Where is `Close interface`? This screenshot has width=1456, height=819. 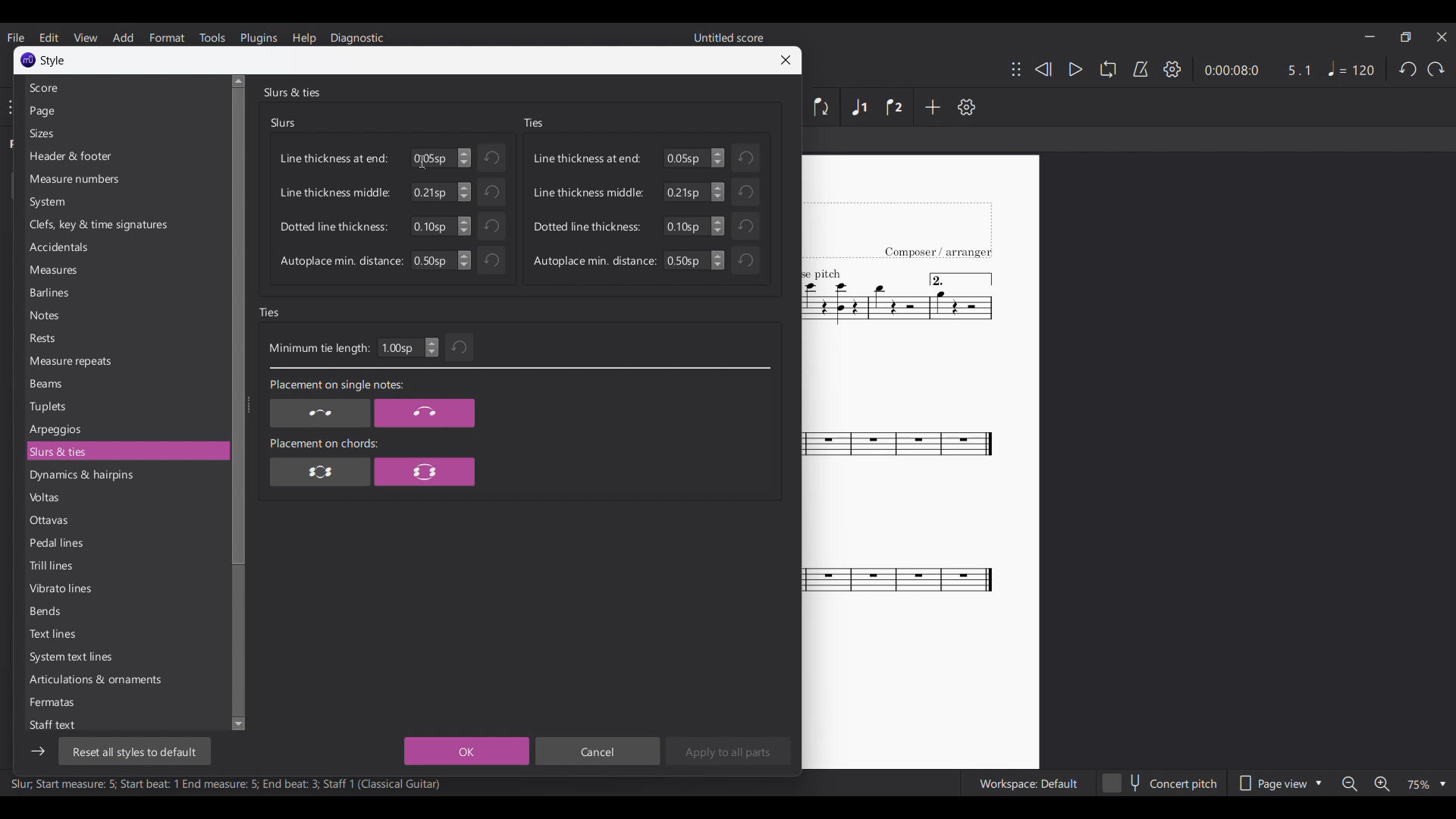 Close interface is located at coordinates (1442, 37).